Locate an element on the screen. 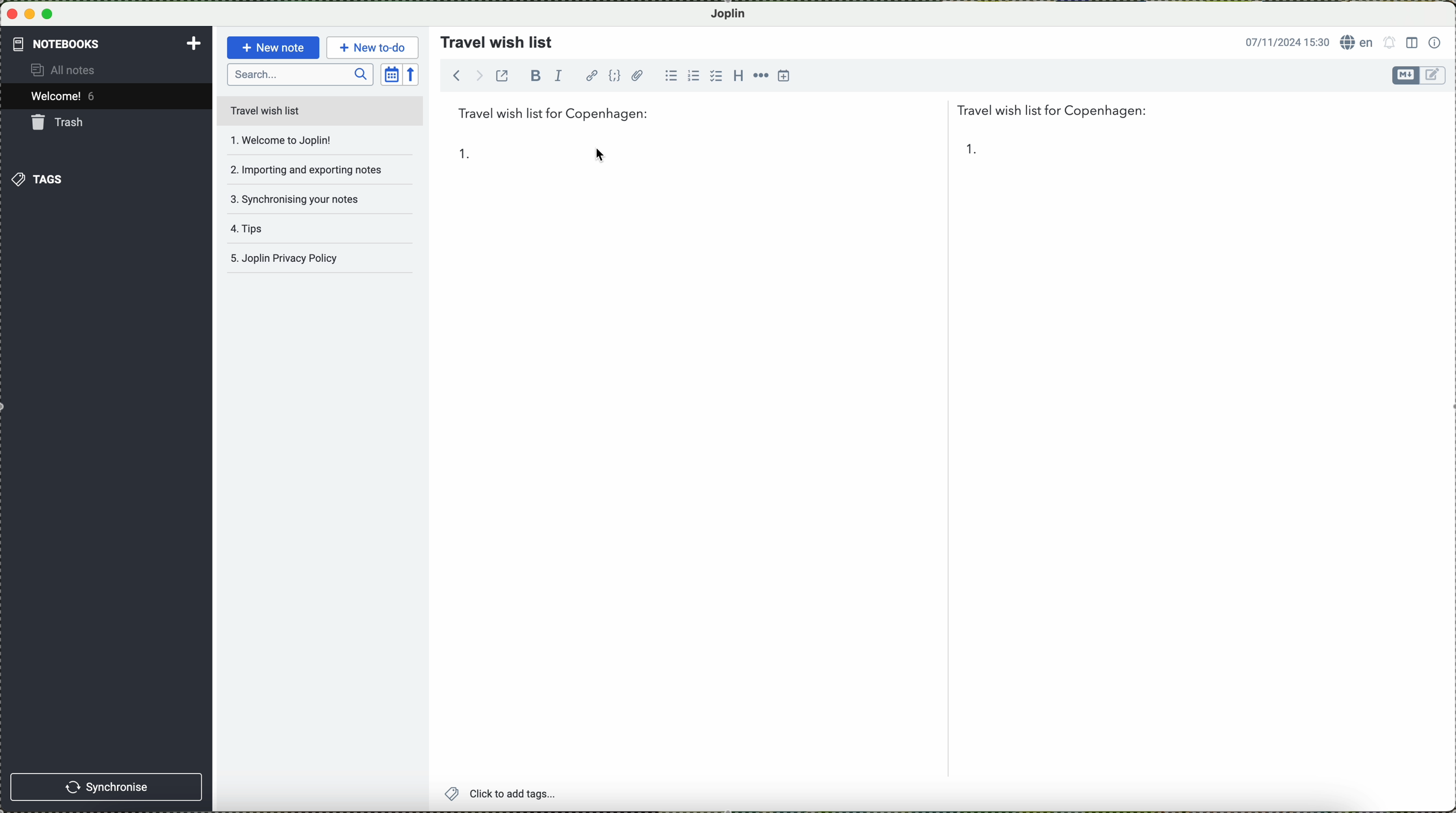  date and hour is located at coordinates (1283, 41).